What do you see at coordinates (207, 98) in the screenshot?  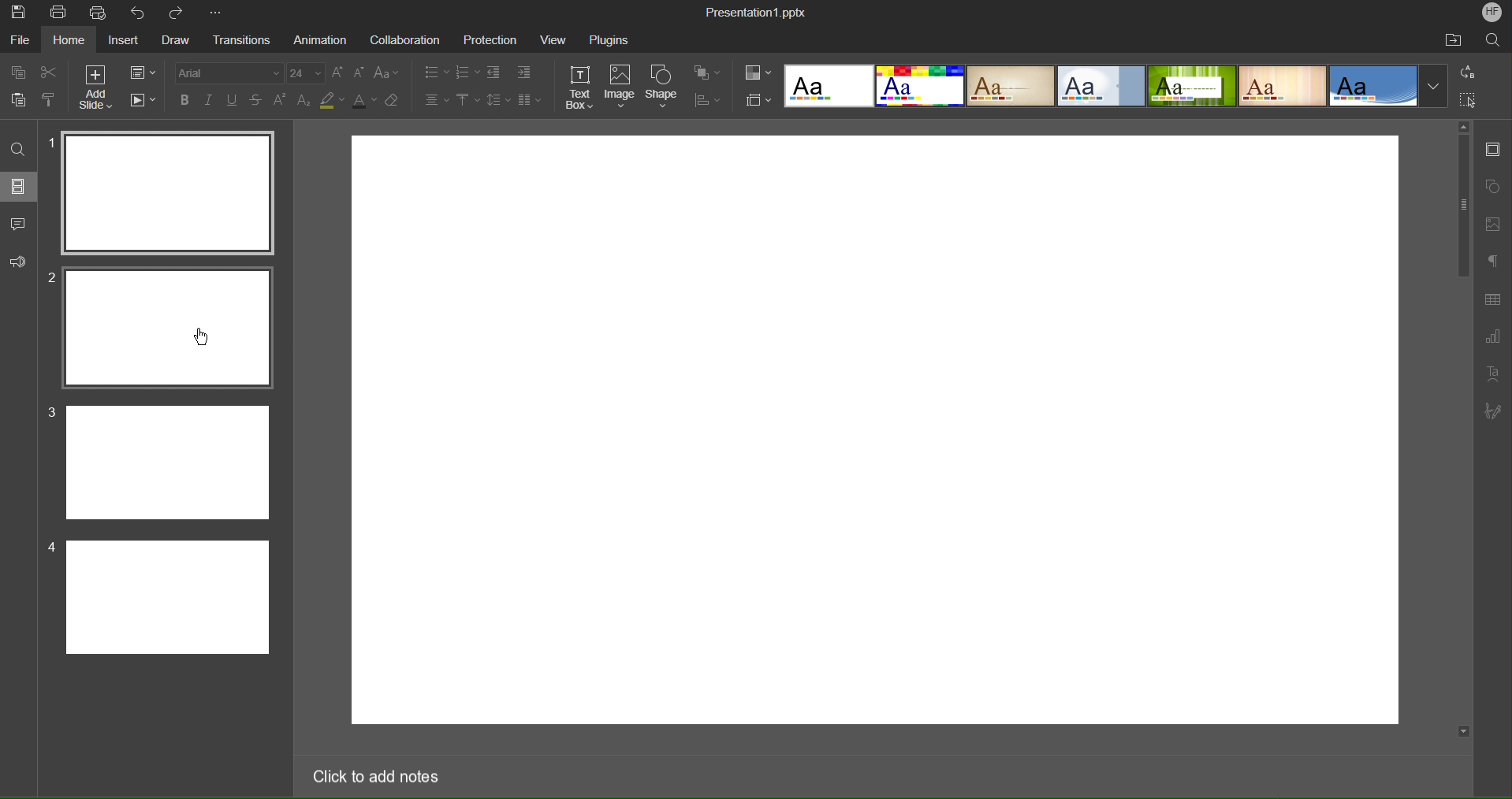 I see `italics` at bounding box center [207, 98].